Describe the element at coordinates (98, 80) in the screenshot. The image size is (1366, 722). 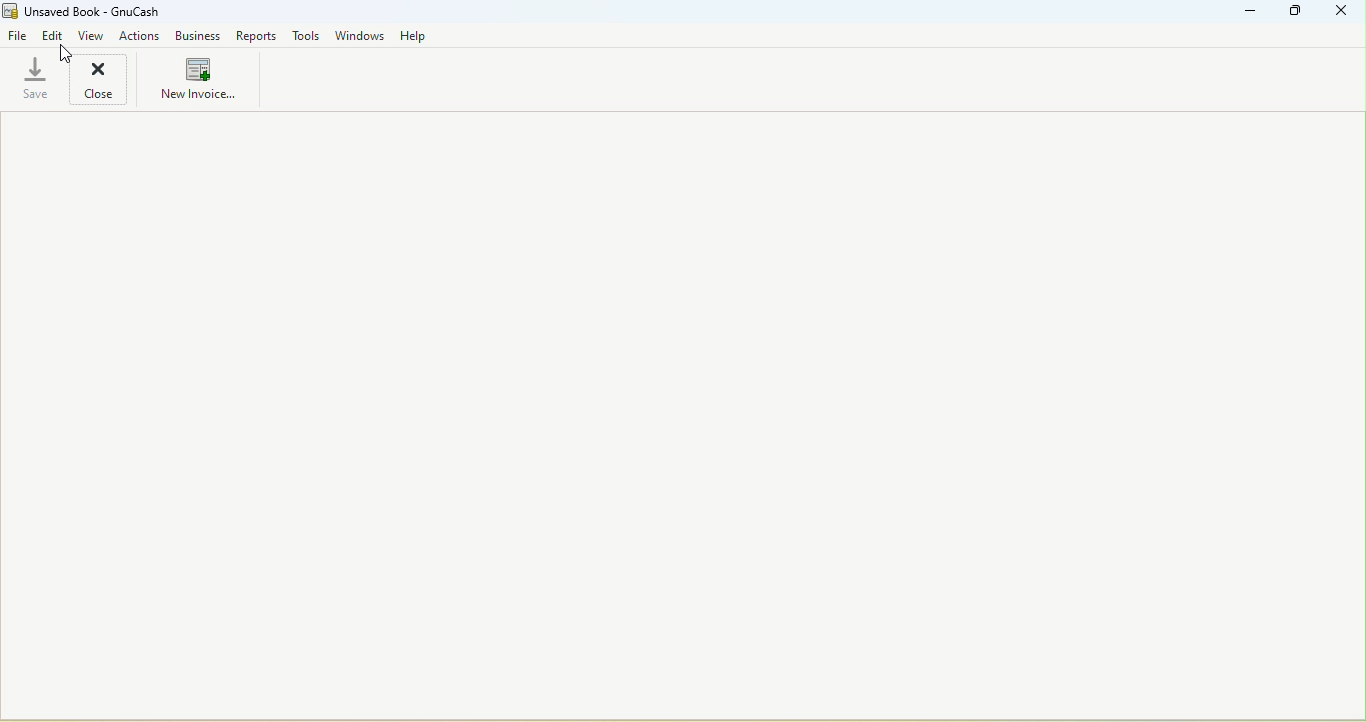
I see `Close` at that location.